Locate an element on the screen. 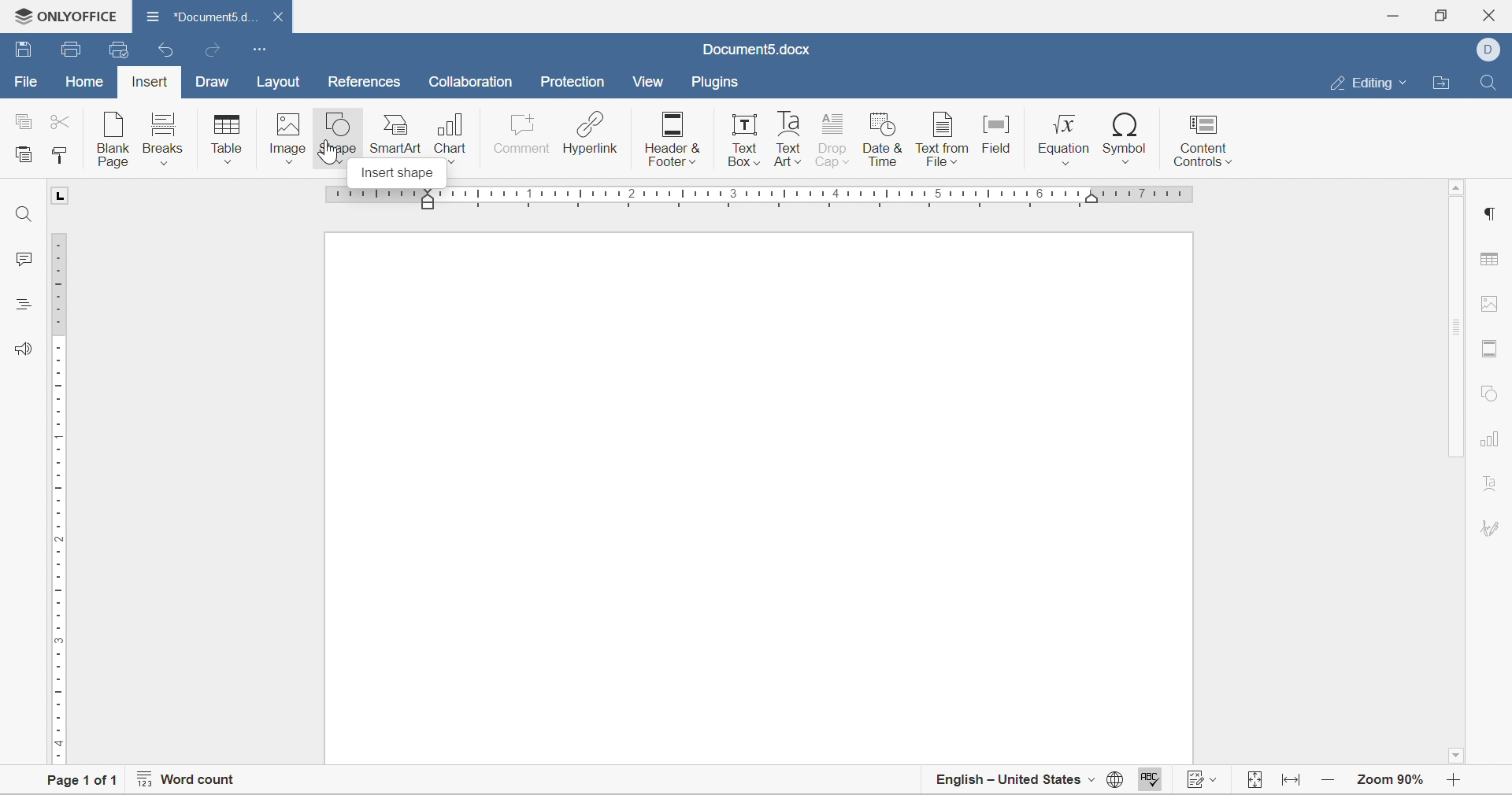 This screenshot has height=795, width=1512. equation is located at coordinates (1063, 141).